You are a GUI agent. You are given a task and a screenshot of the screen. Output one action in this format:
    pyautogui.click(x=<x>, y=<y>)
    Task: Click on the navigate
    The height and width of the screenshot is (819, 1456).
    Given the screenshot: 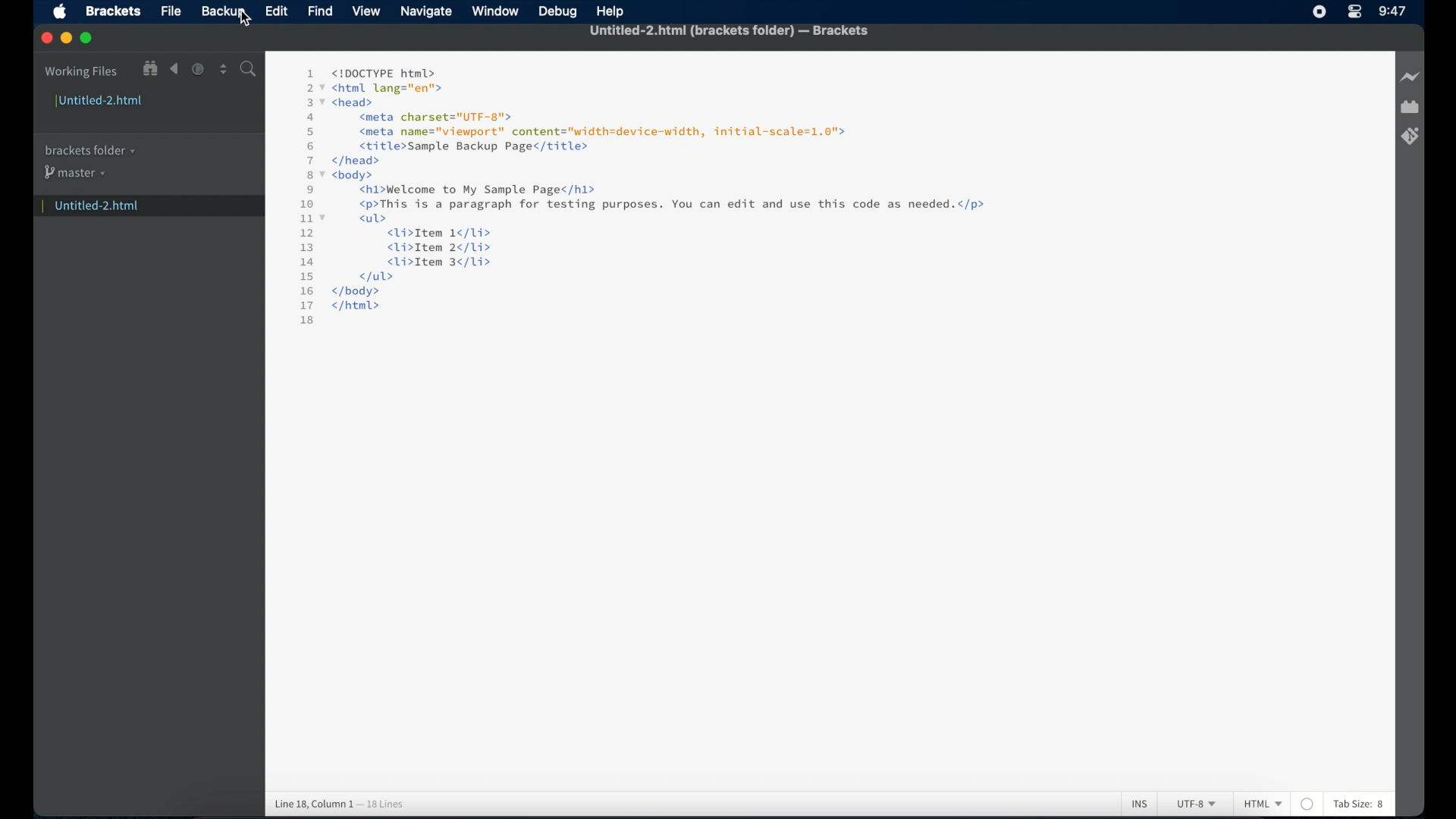 What is the action you would take?
    pyautogui.click(x=427, y=13)
    